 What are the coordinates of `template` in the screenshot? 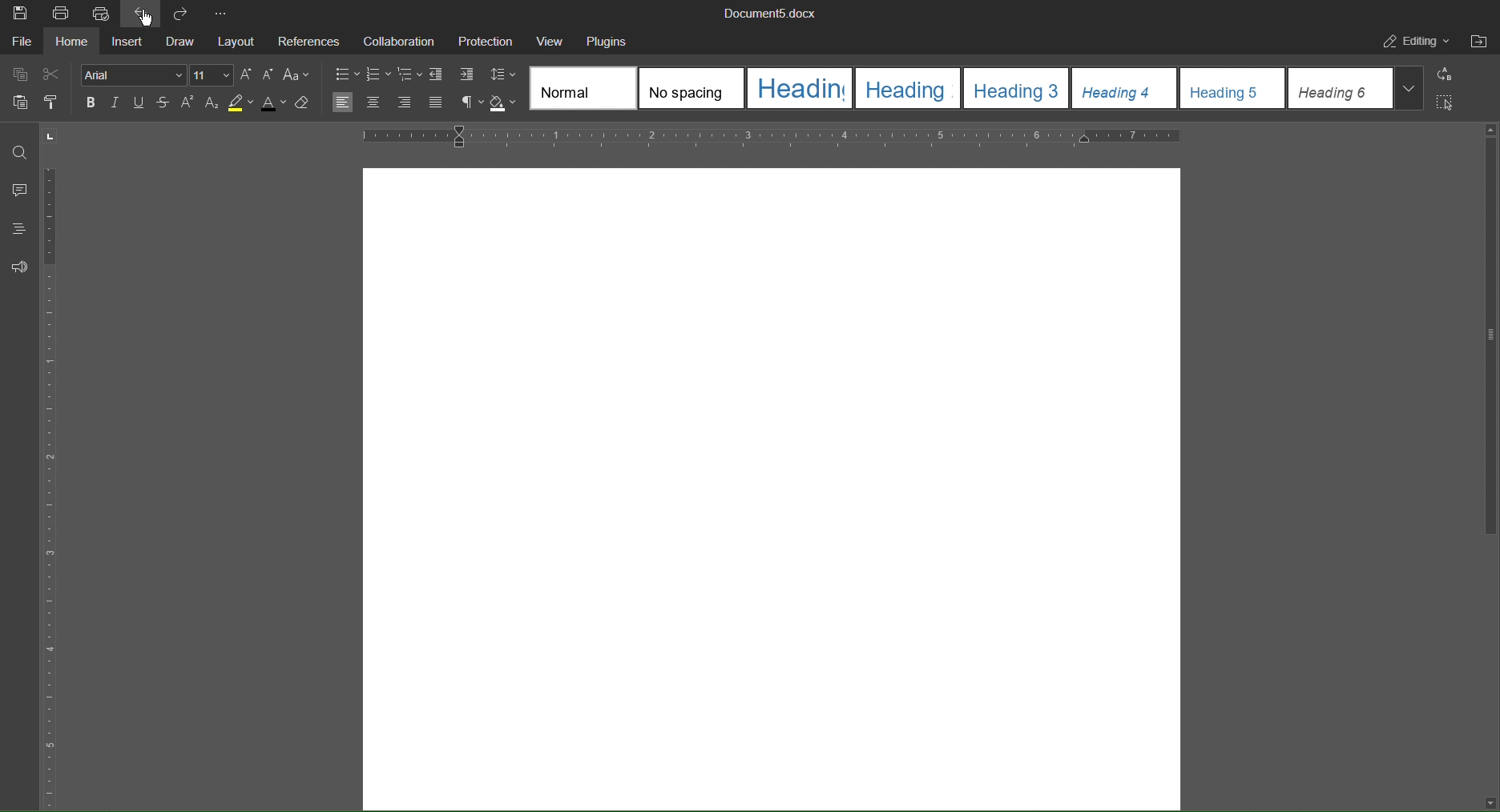 It's located at (800, 88).